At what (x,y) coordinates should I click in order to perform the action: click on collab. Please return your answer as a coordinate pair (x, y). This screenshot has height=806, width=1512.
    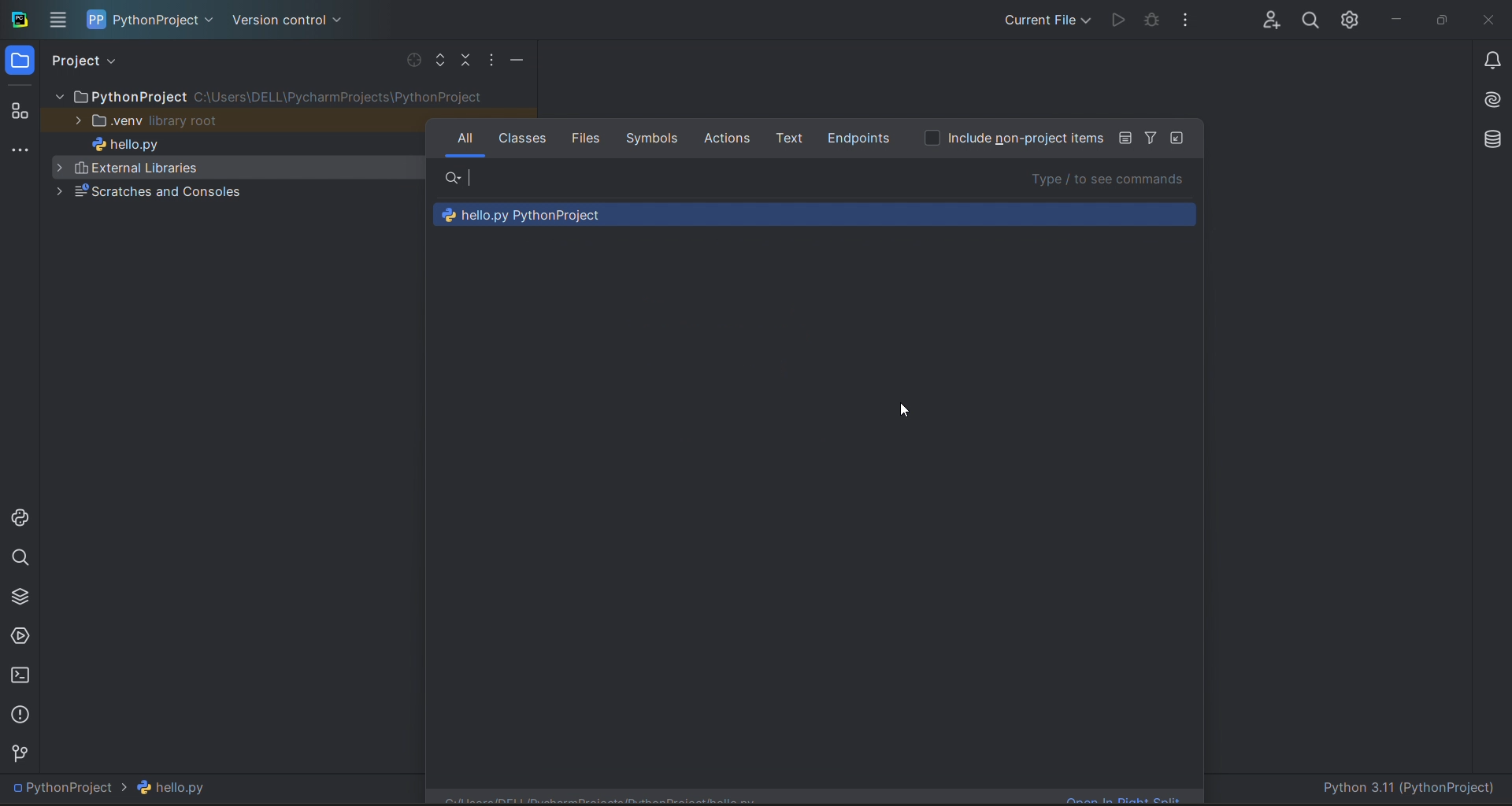
    Looking at the image, I should click on (1272, 20).